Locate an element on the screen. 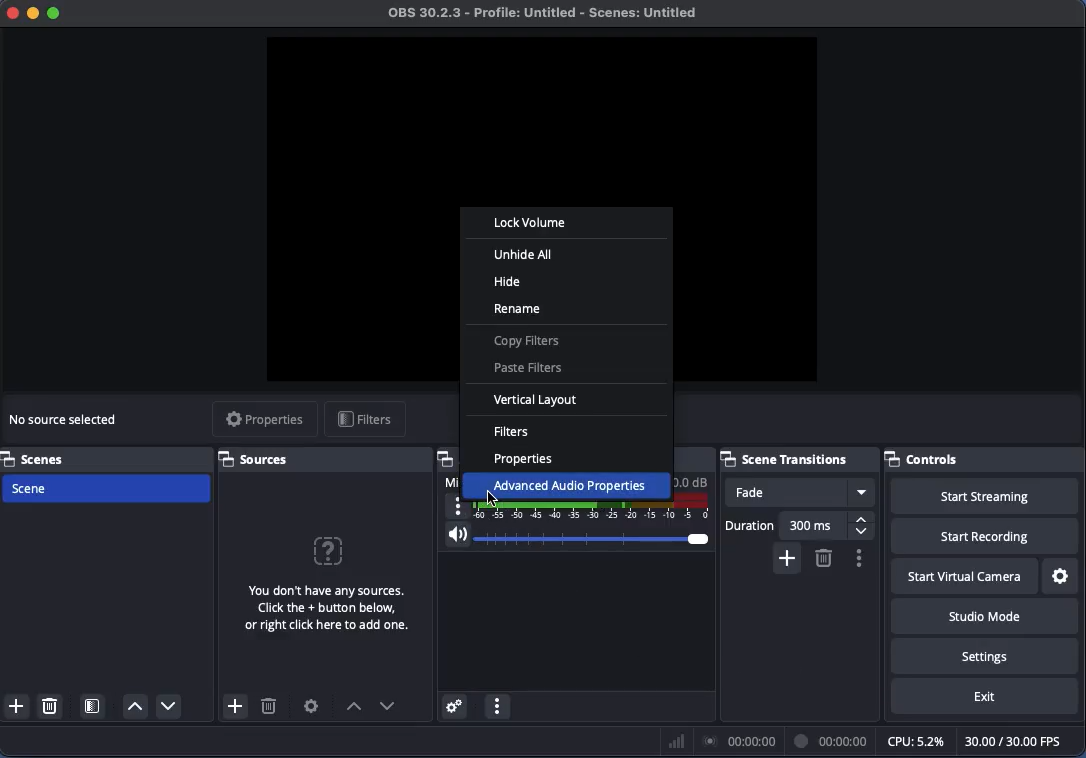 The height and width of the screenshot is (758, 1086). Properties is located at coordinates (527, 460).